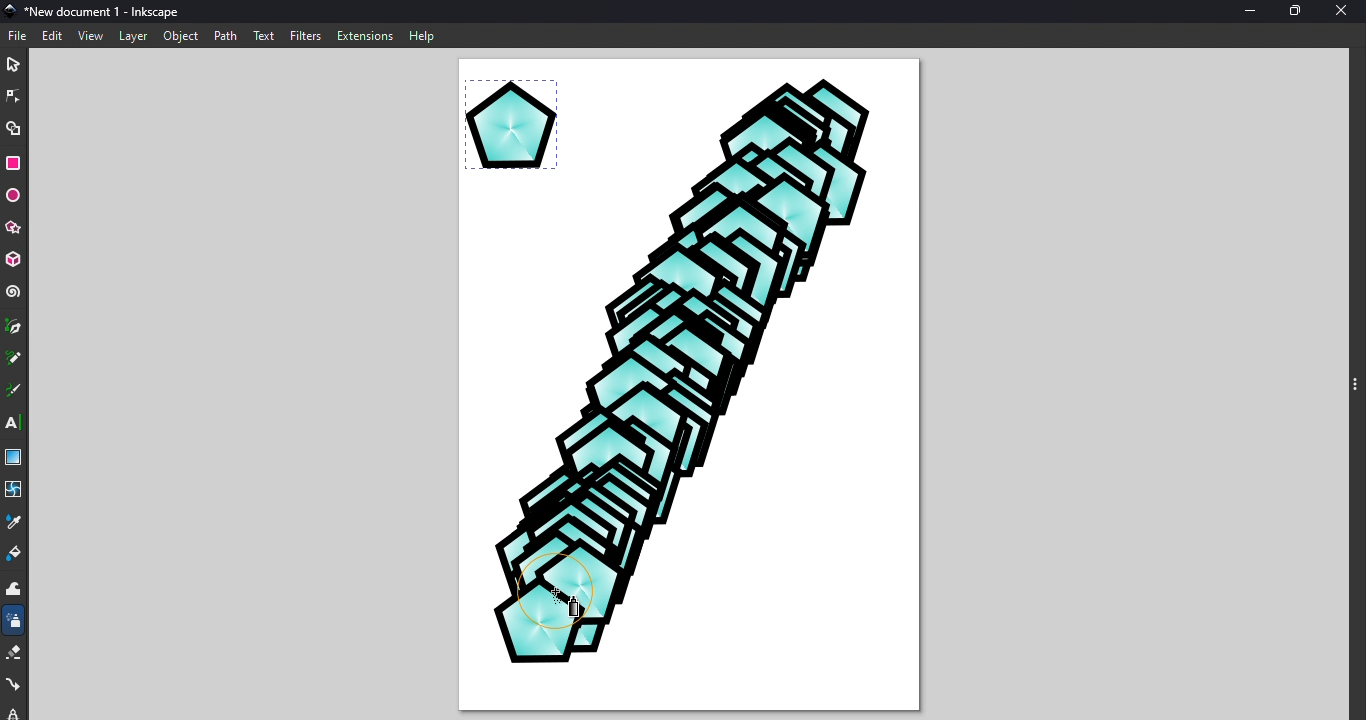  I want to click on Paint bucket tool, so click(13, 556).